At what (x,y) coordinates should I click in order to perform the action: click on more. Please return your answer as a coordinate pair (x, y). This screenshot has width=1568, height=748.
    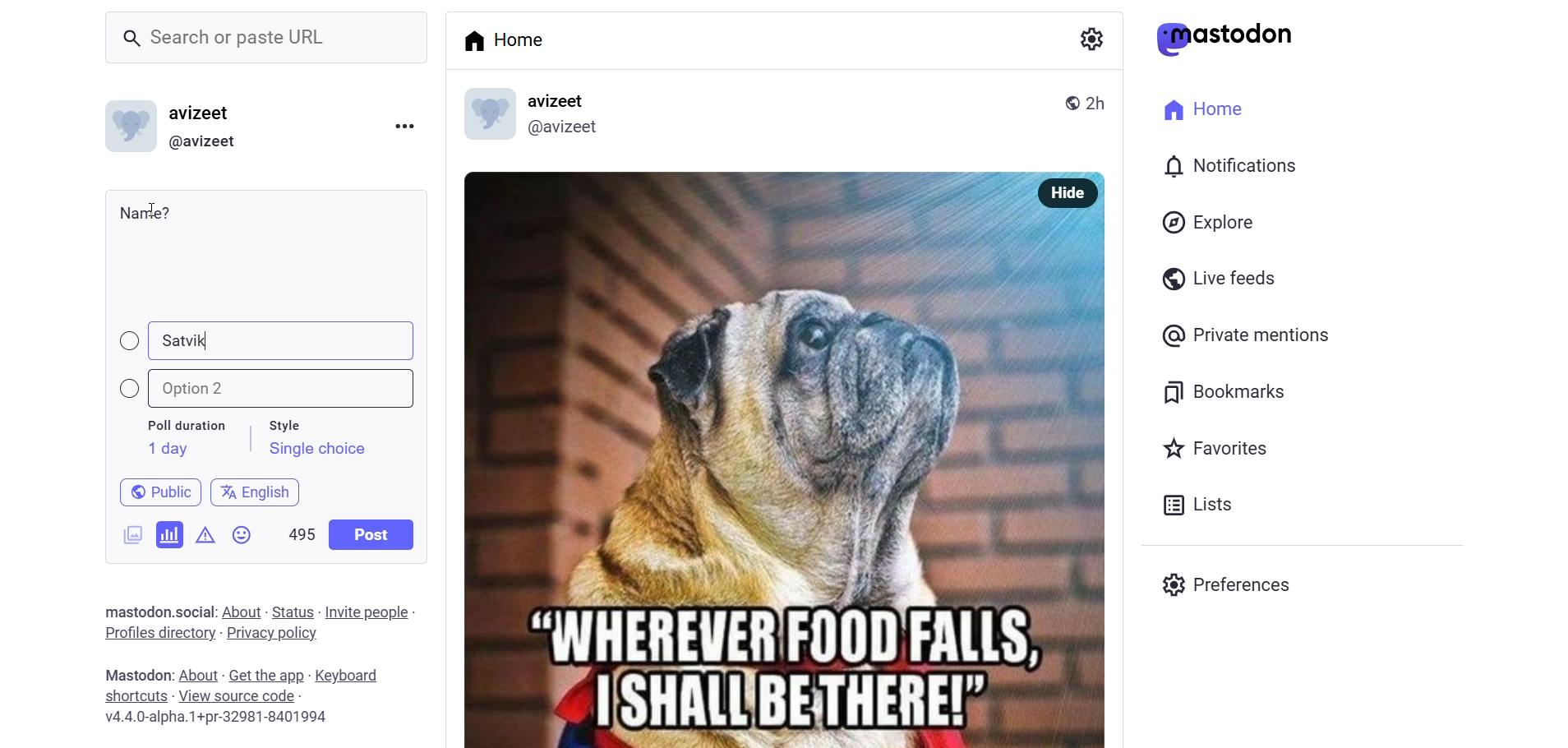
    Looking at the image, I should click on (404, 124).